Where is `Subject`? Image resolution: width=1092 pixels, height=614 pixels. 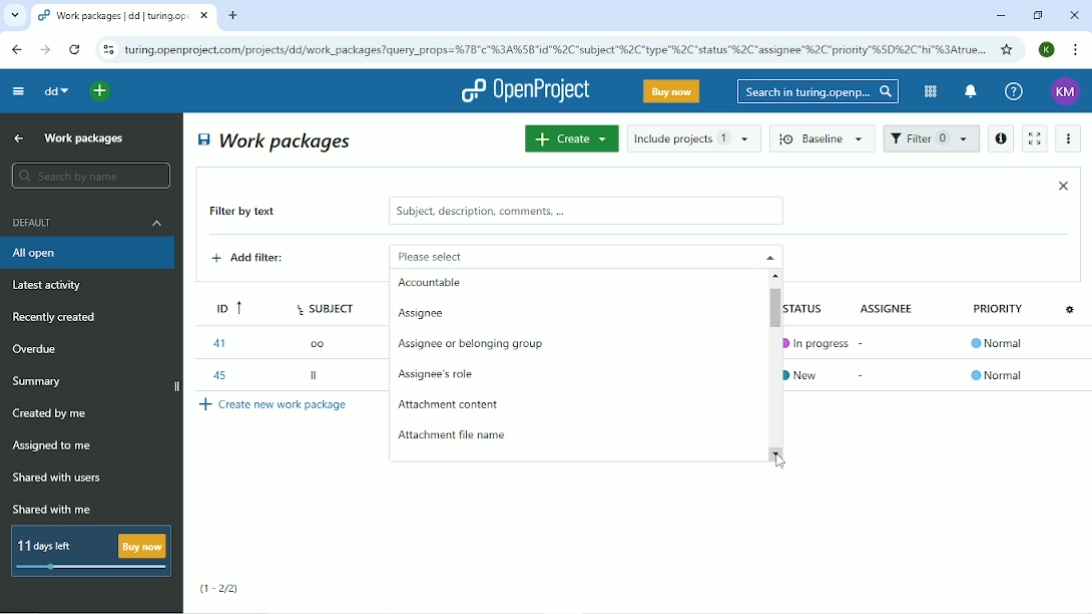
Subject is located at coordinates (328, 305).